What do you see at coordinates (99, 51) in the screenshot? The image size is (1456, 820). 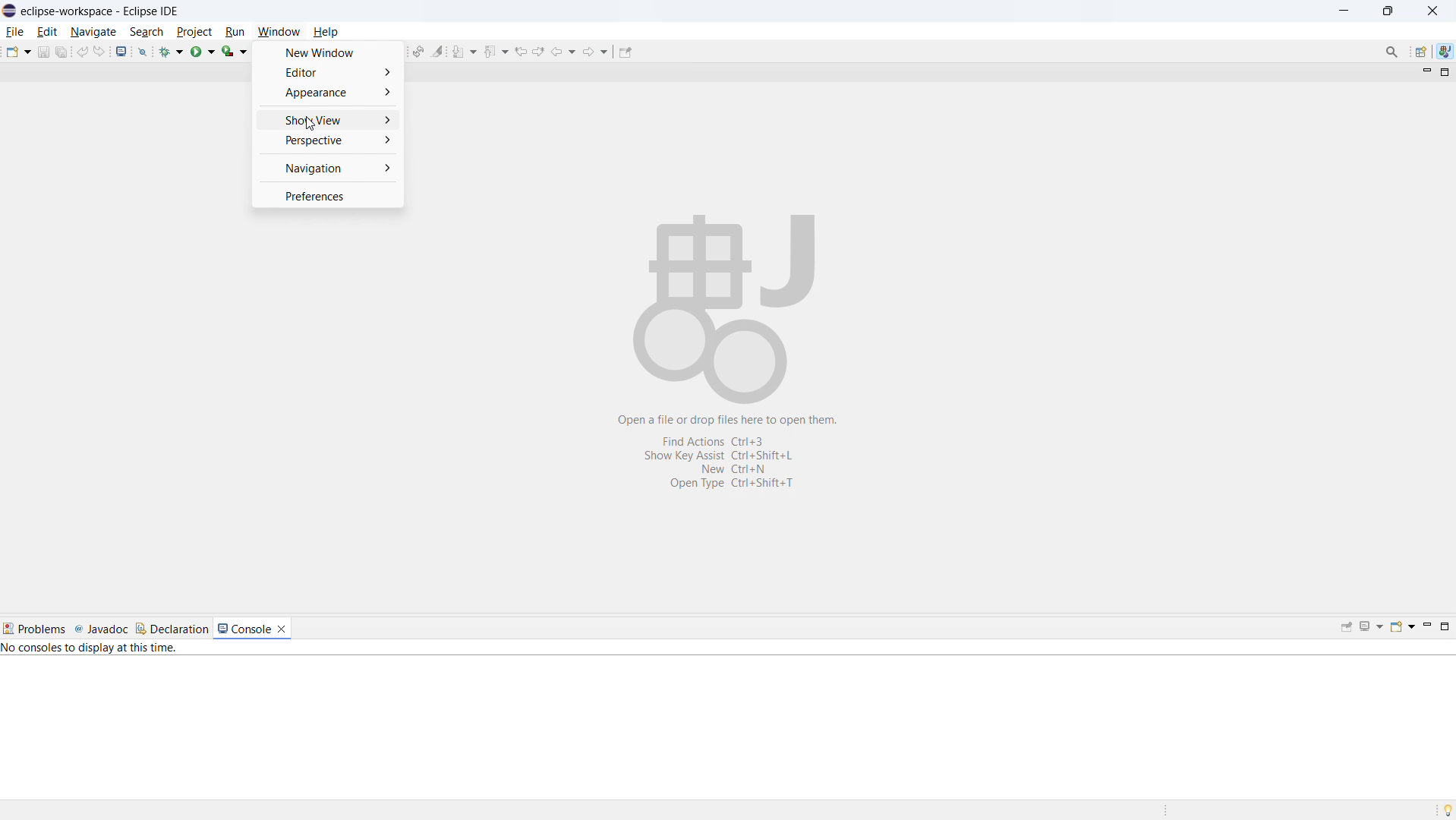 I see `redo` at bounding box center [99, 51].